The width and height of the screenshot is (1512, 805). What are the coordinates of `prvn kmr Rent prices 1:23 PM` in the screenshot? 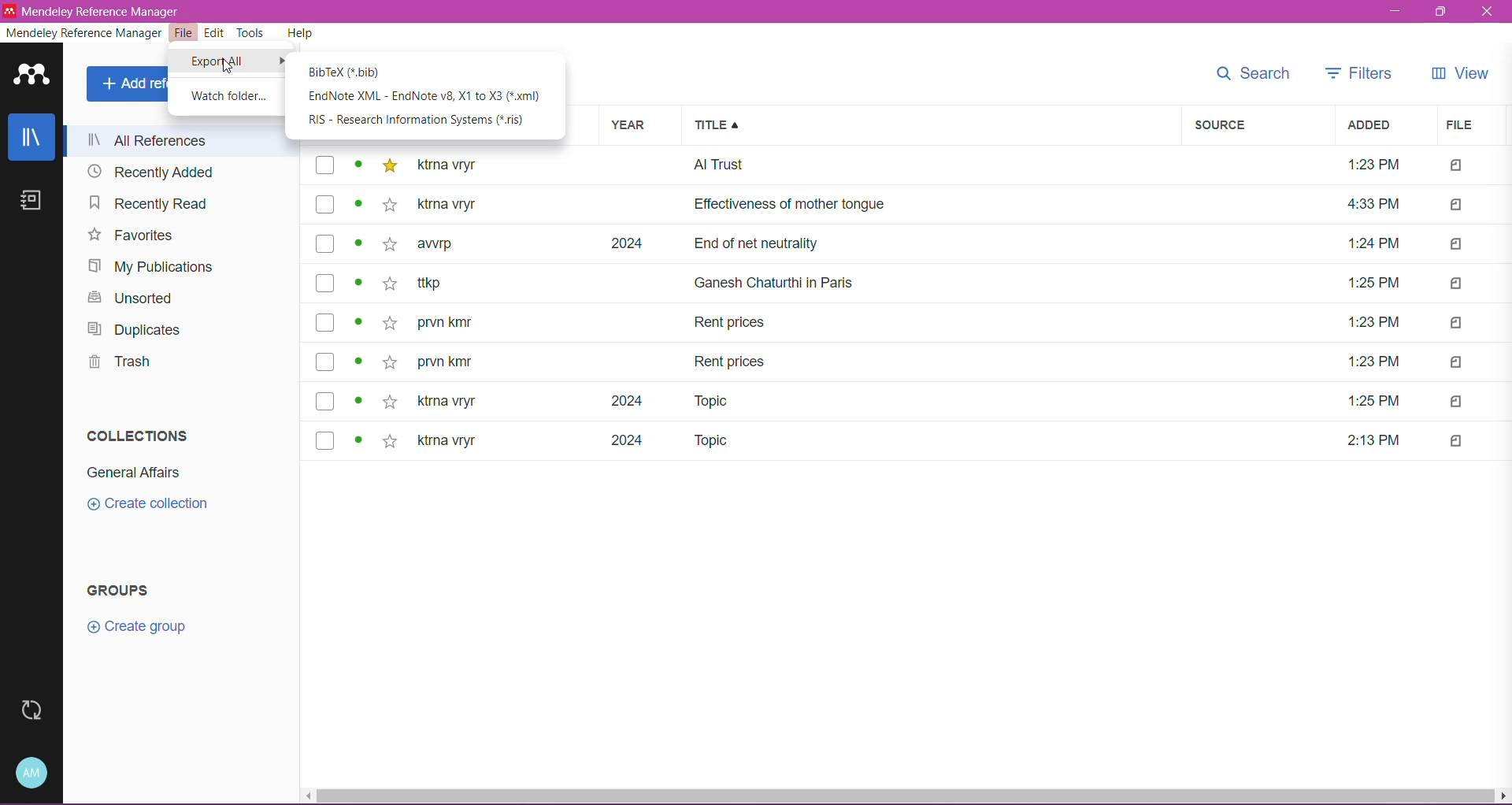 It's located at (910, 364).